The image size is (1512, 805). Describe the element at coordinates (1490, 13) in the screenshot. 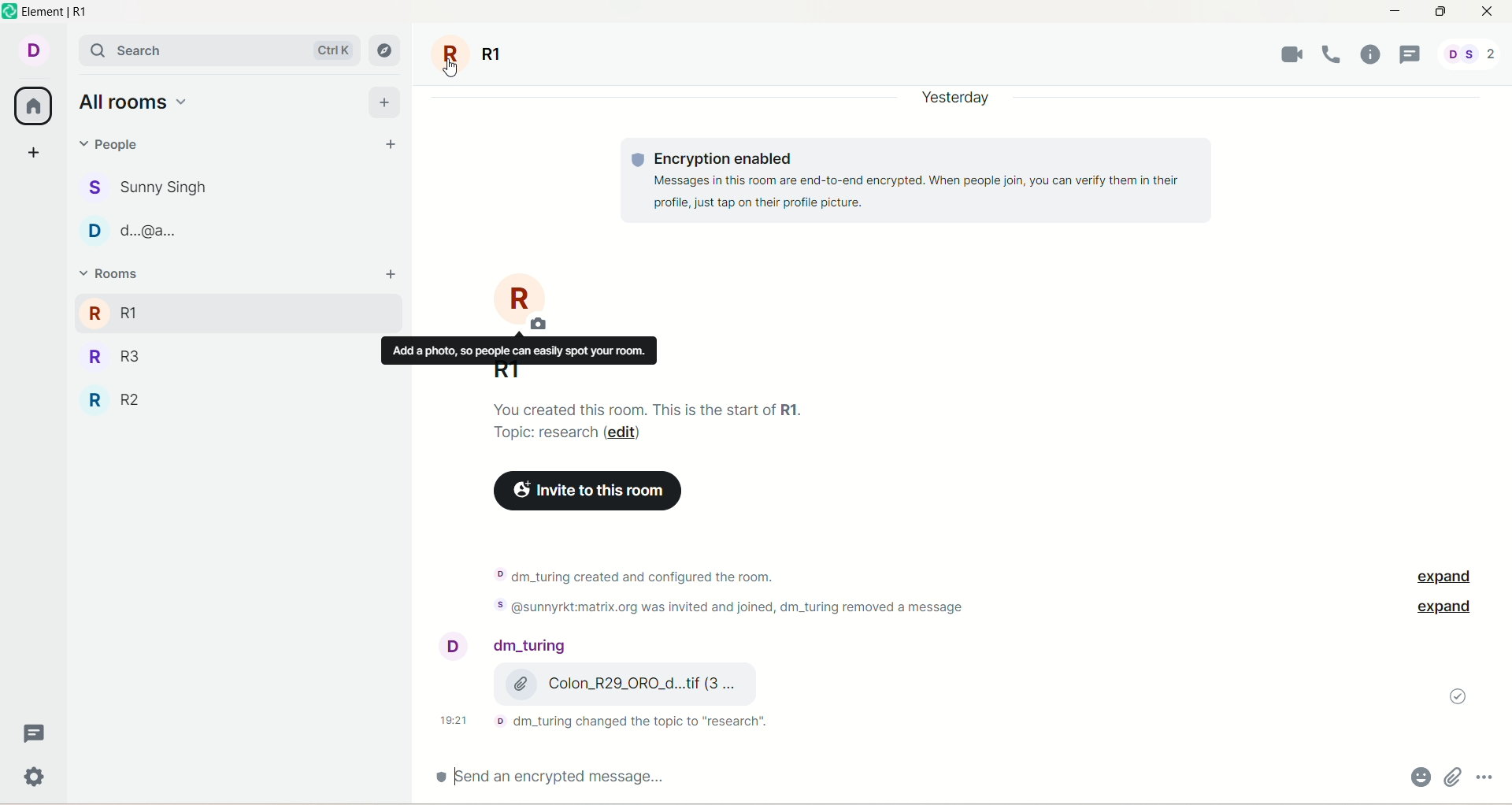

I see `close` at that location.